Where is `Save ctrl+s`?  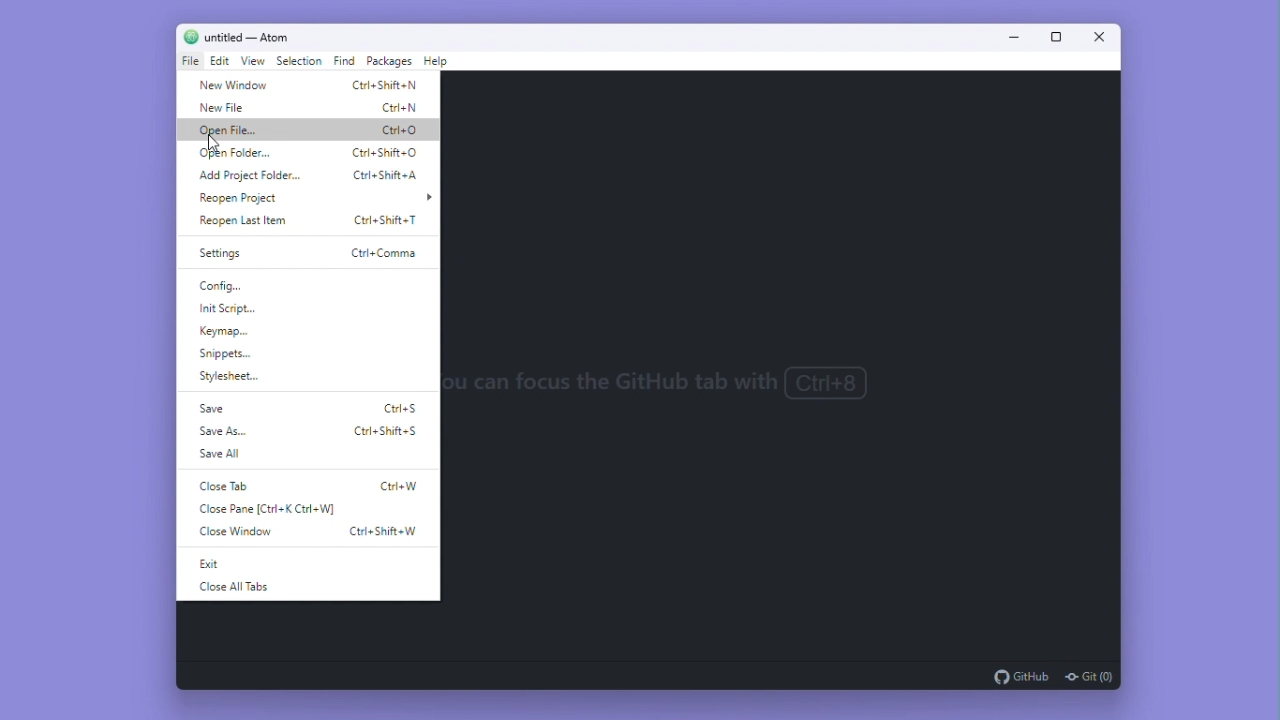 Save ctrl+s is located at coordinates (313, 408).